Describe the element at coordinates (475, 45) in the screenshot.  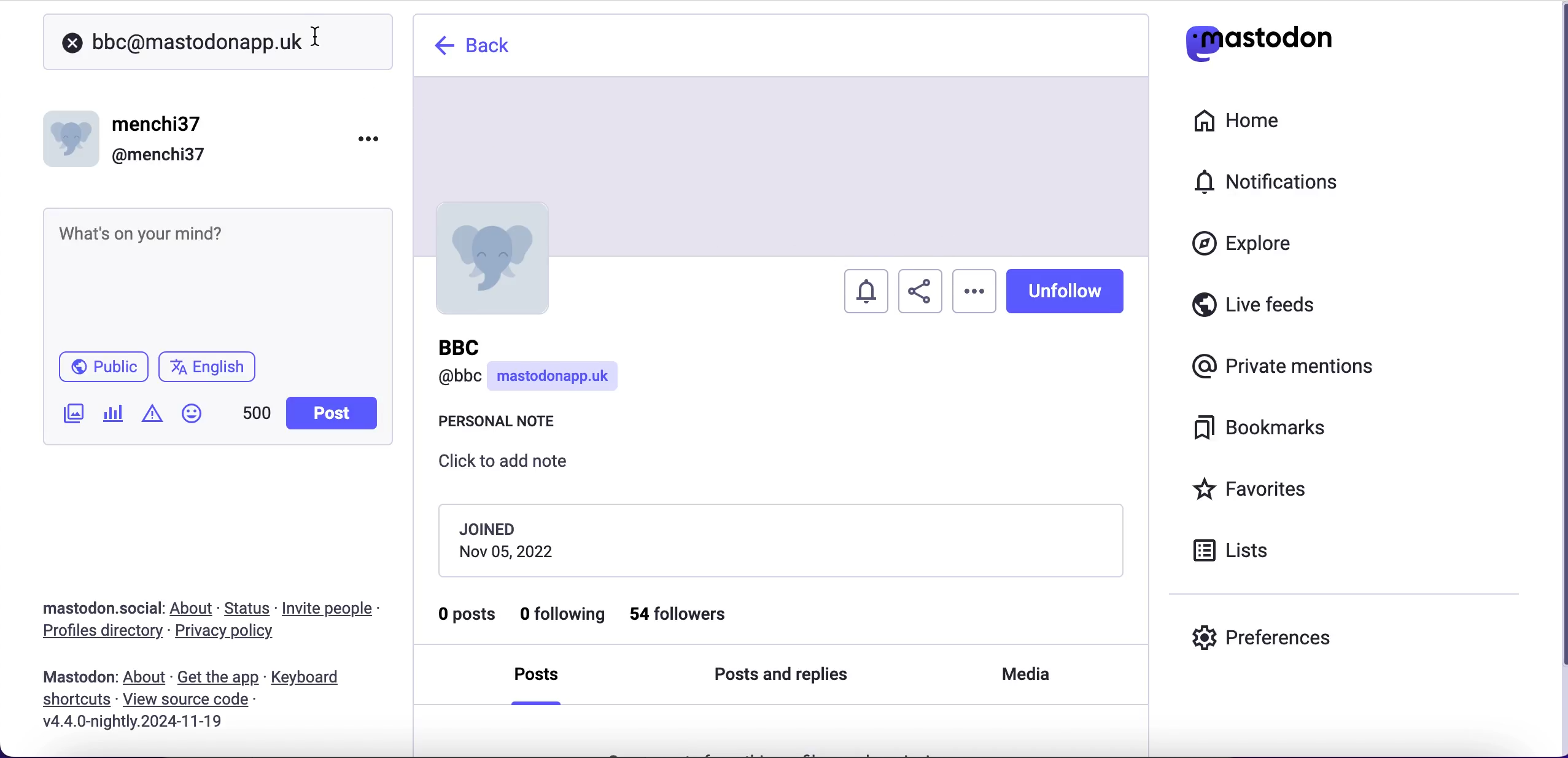
I see `back` at that location.